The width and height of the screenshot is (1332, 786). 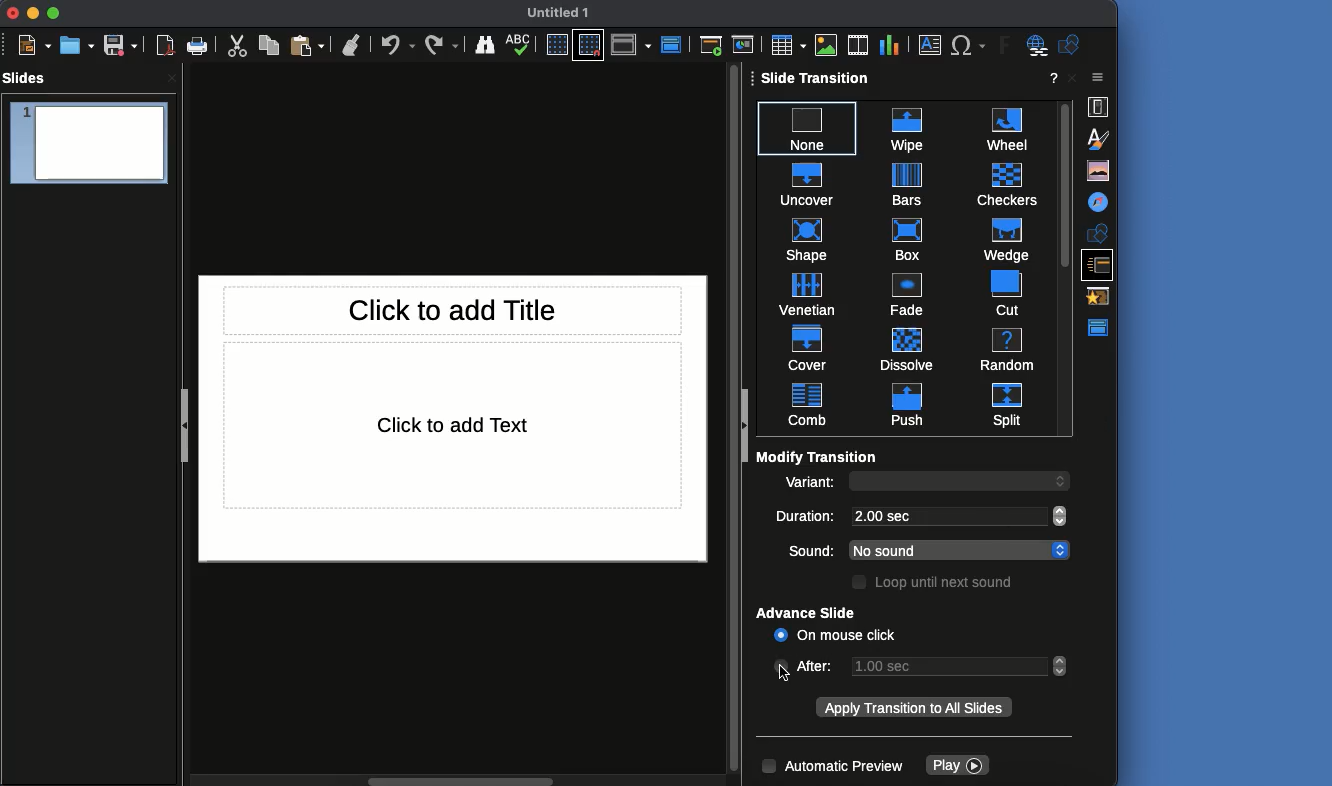 What do you see at coordinates (559, 12) in the screenshot?
I see `` at bounding box center [559, 12].